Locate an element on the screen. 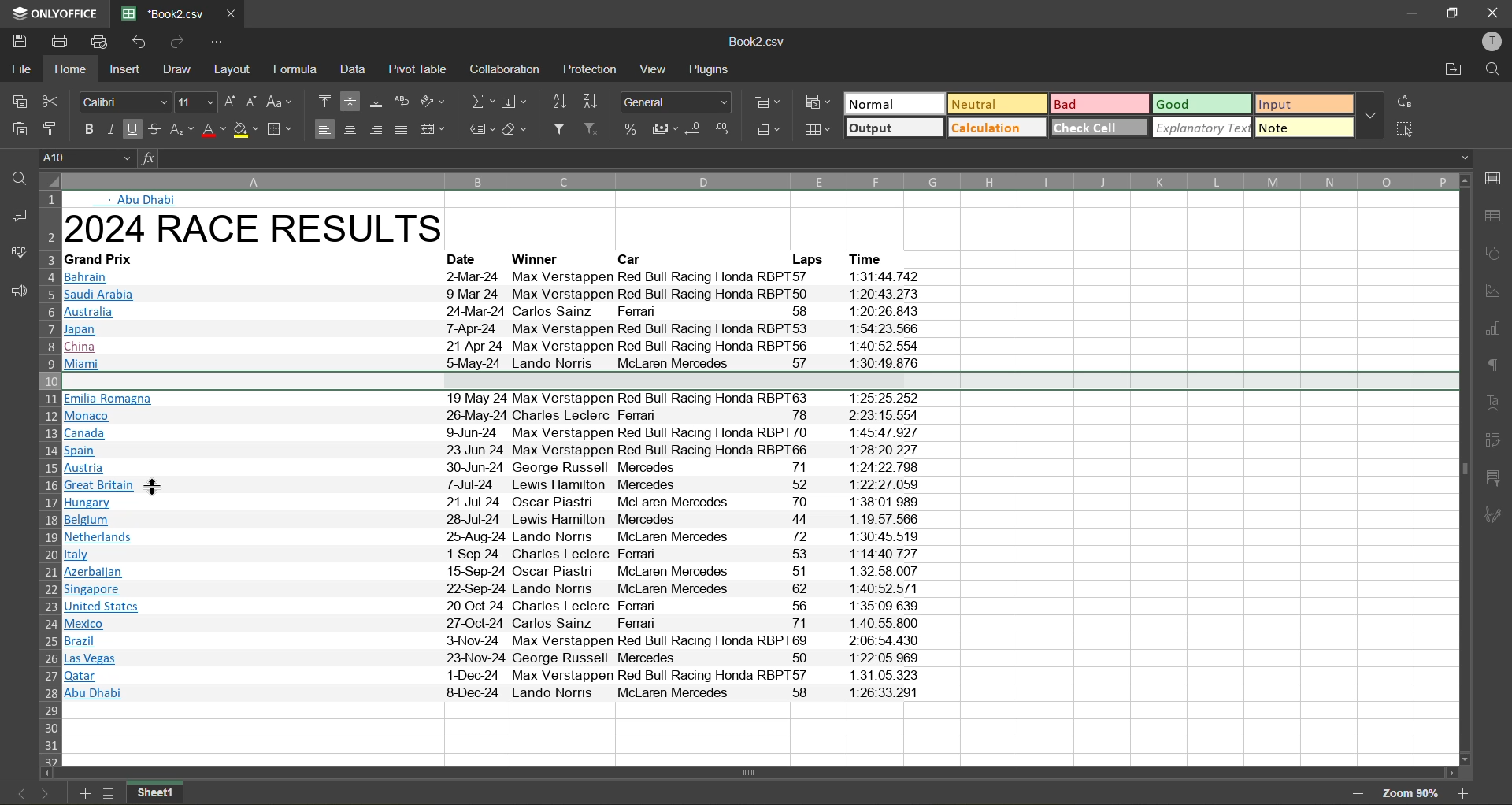 This screenshot has width=1512, height=805. insert cells is located at coordinates (765, 103).